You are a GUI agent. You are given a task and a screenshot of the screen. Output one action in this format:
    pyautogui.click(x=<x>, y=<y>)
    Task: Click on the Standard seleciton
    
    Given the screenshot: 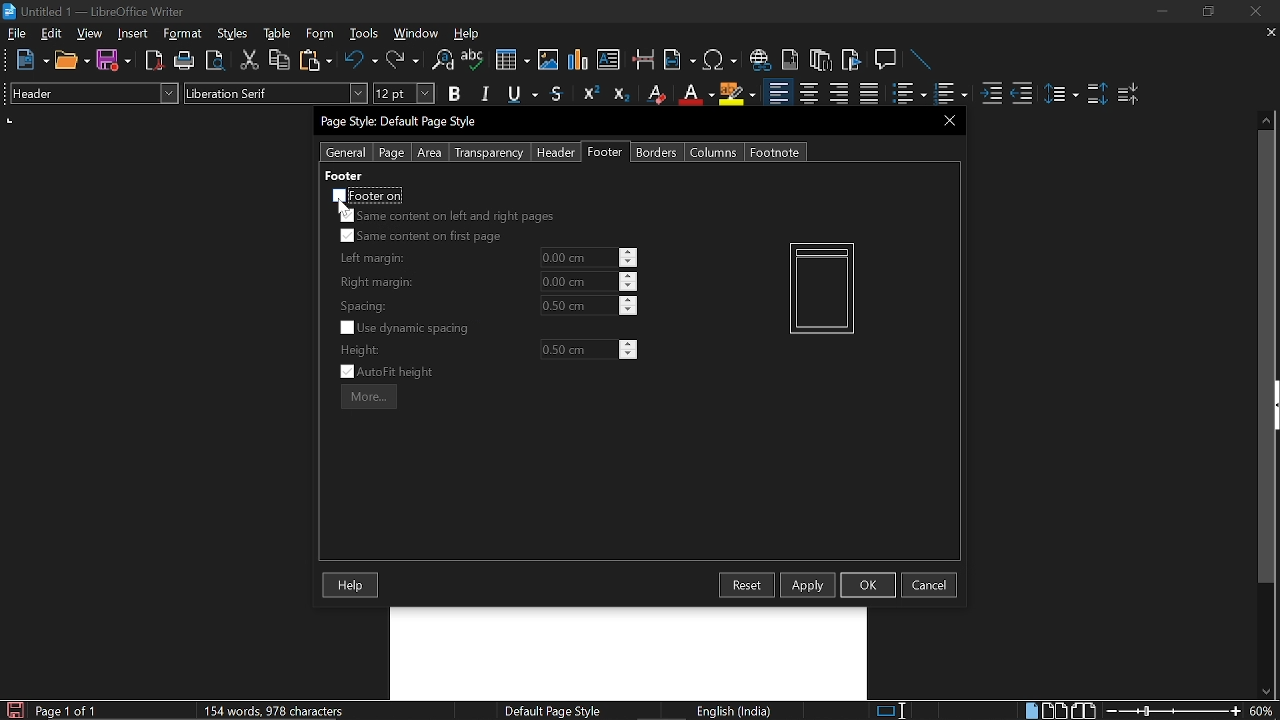 What is the action you would take?
    pyautogui.click(x=895, y=711)
    